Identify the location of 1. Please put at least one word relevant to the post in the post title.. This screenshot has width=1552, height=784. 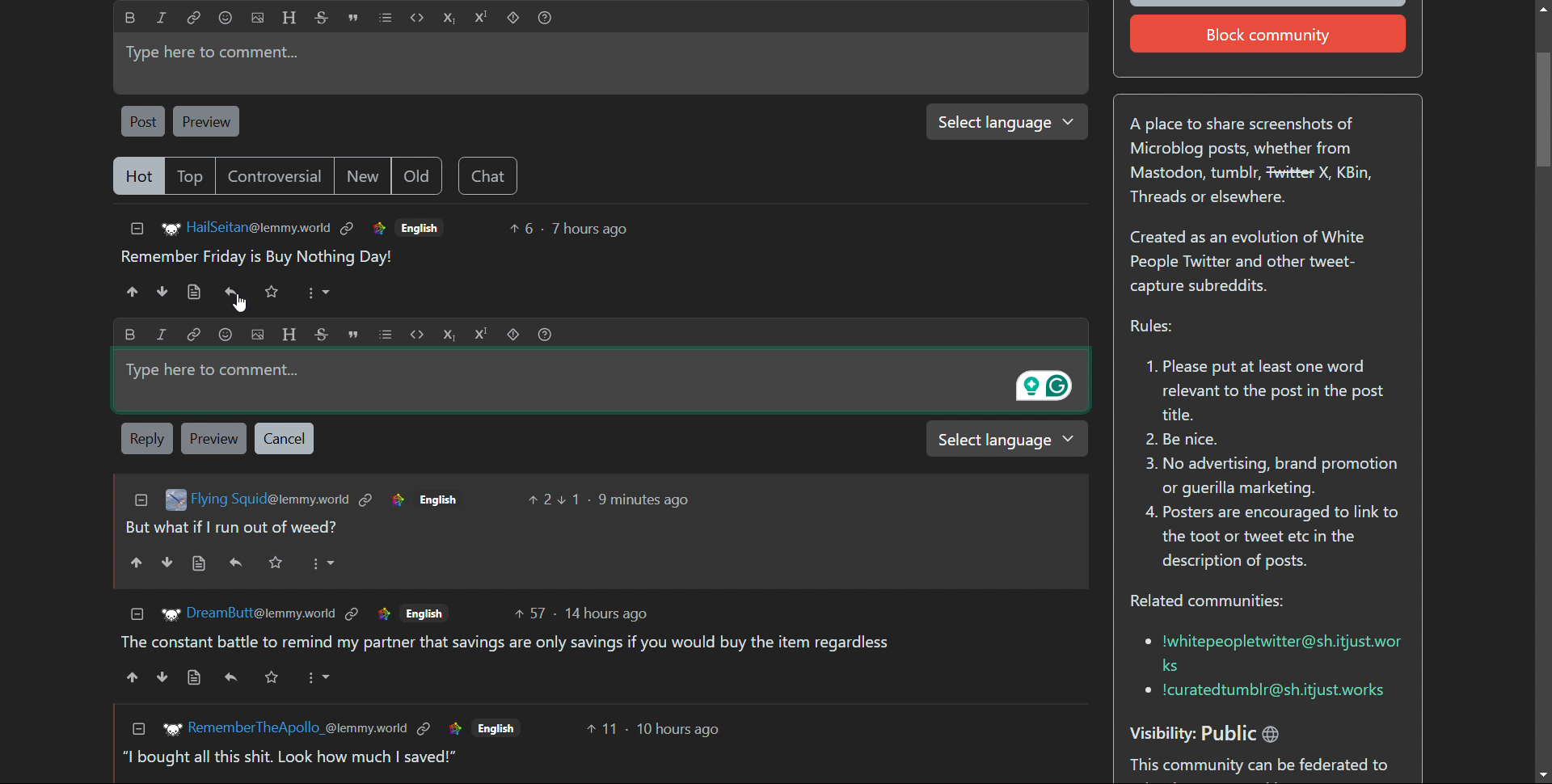
(1261, 391).